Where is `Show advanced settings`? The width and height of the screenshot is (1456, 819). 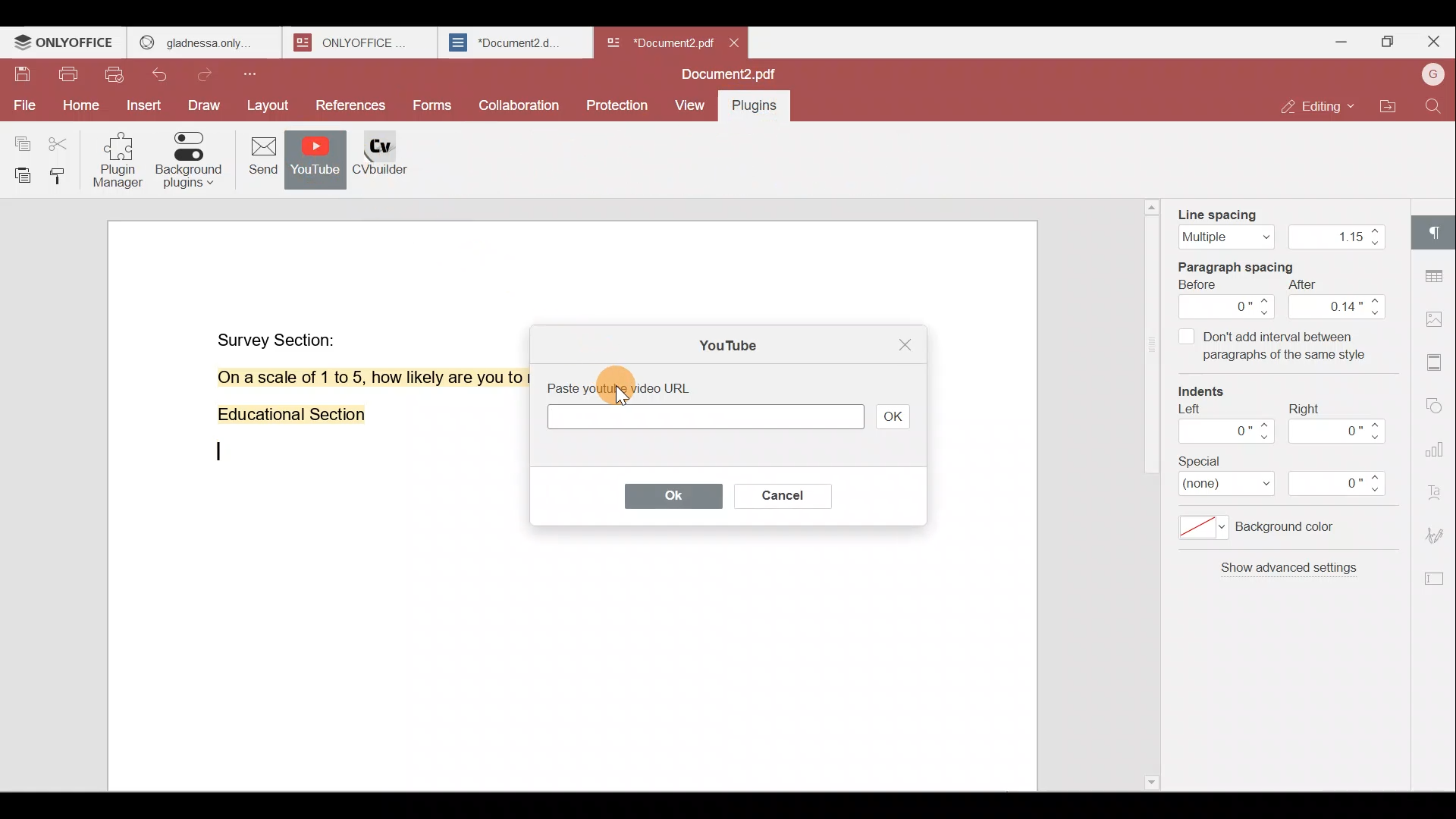 Show advanced settings is located at coordinates (1286, 574).